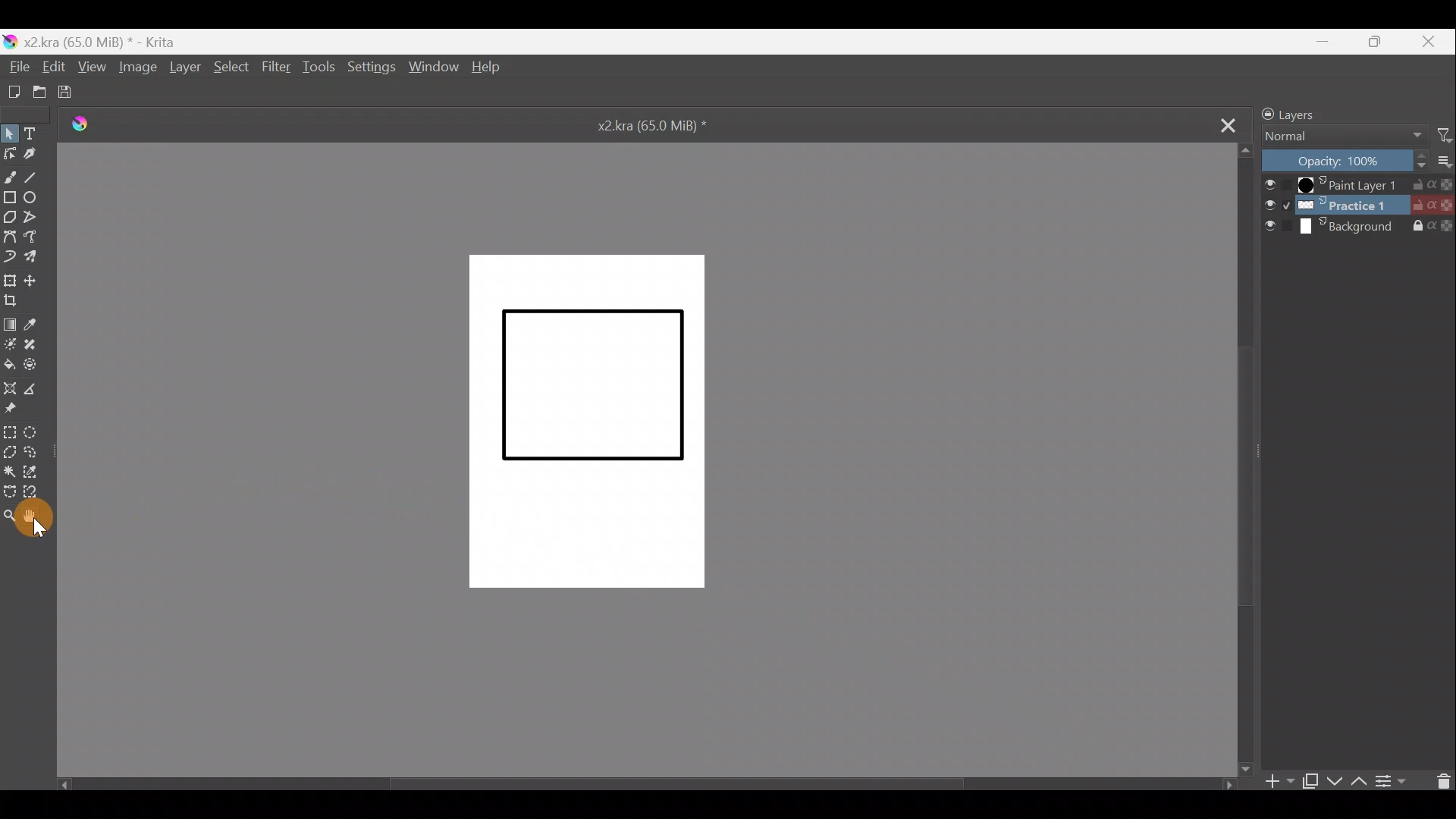 This screenshot has width=1456, height=819. Describe the element at coordinates (9, 279) in the screenshot. I see `Transform a layer/selection` at that location.